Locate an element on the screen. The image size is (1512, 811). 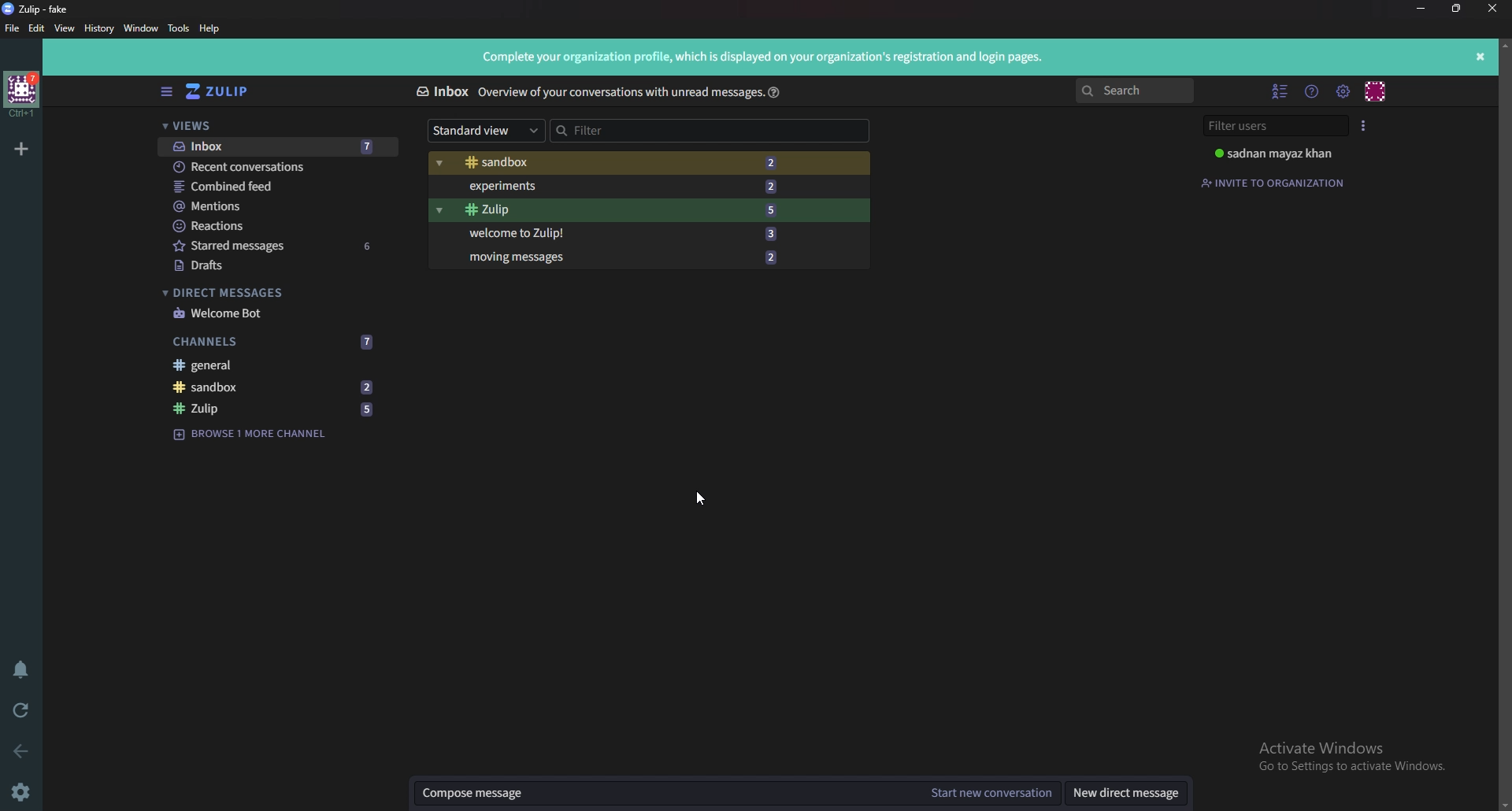
Reload is located at coordinates (27, 709).